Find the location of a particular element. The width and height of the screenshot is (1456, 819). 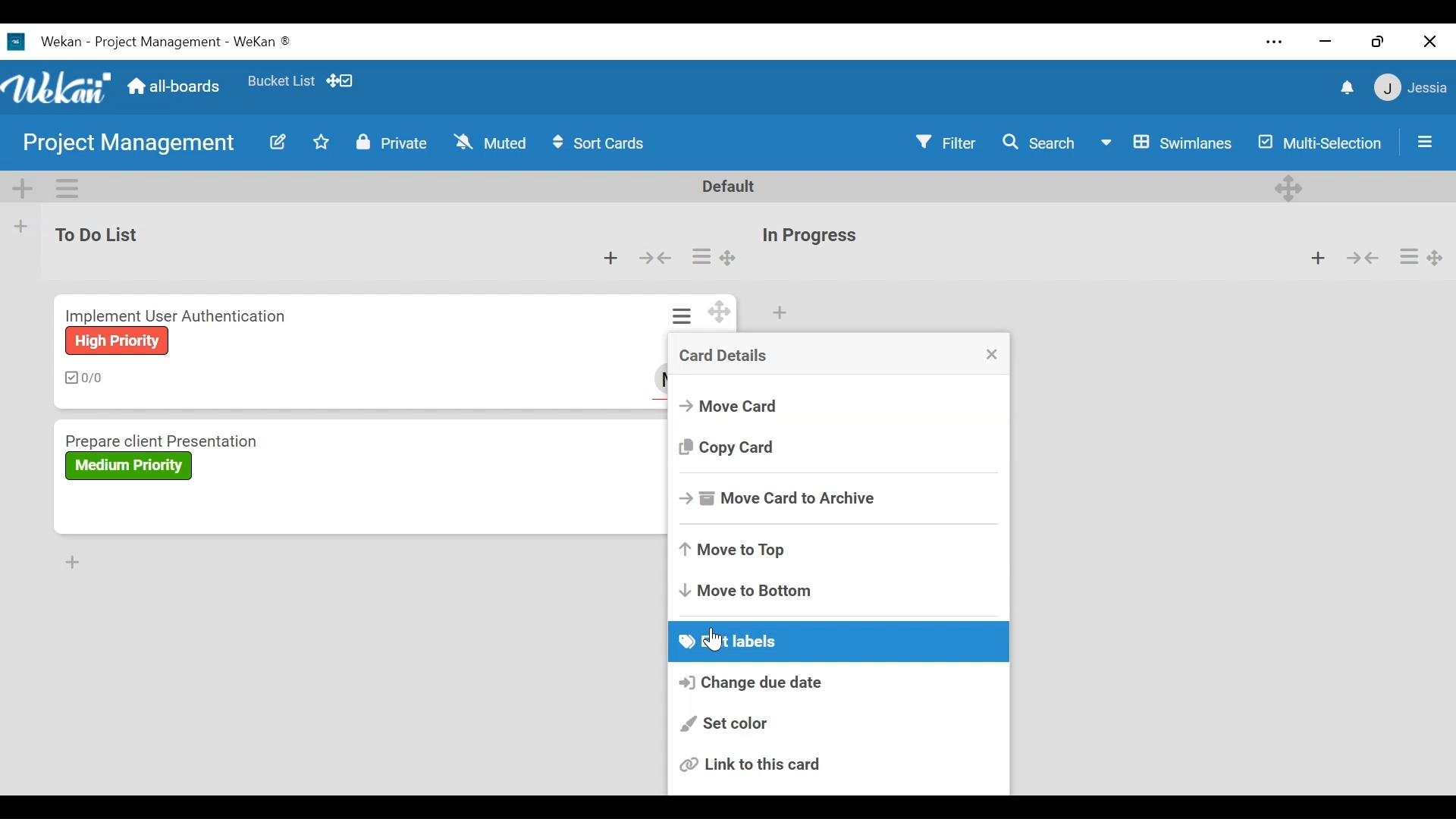

Close is located at coordinates (993, 353).